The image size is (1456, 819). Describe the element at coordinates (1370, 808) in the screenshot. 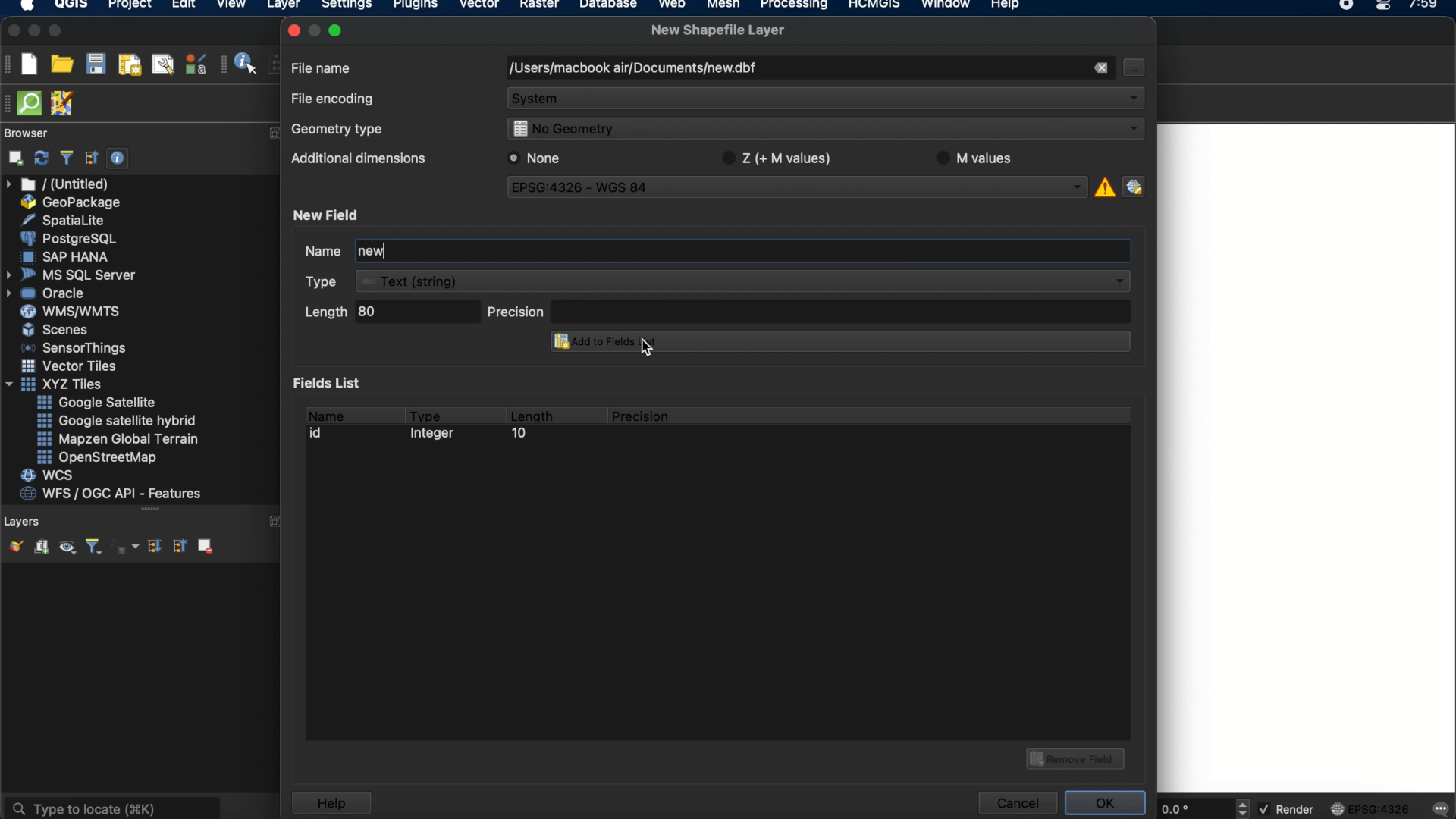

I see `current crs` at that location.